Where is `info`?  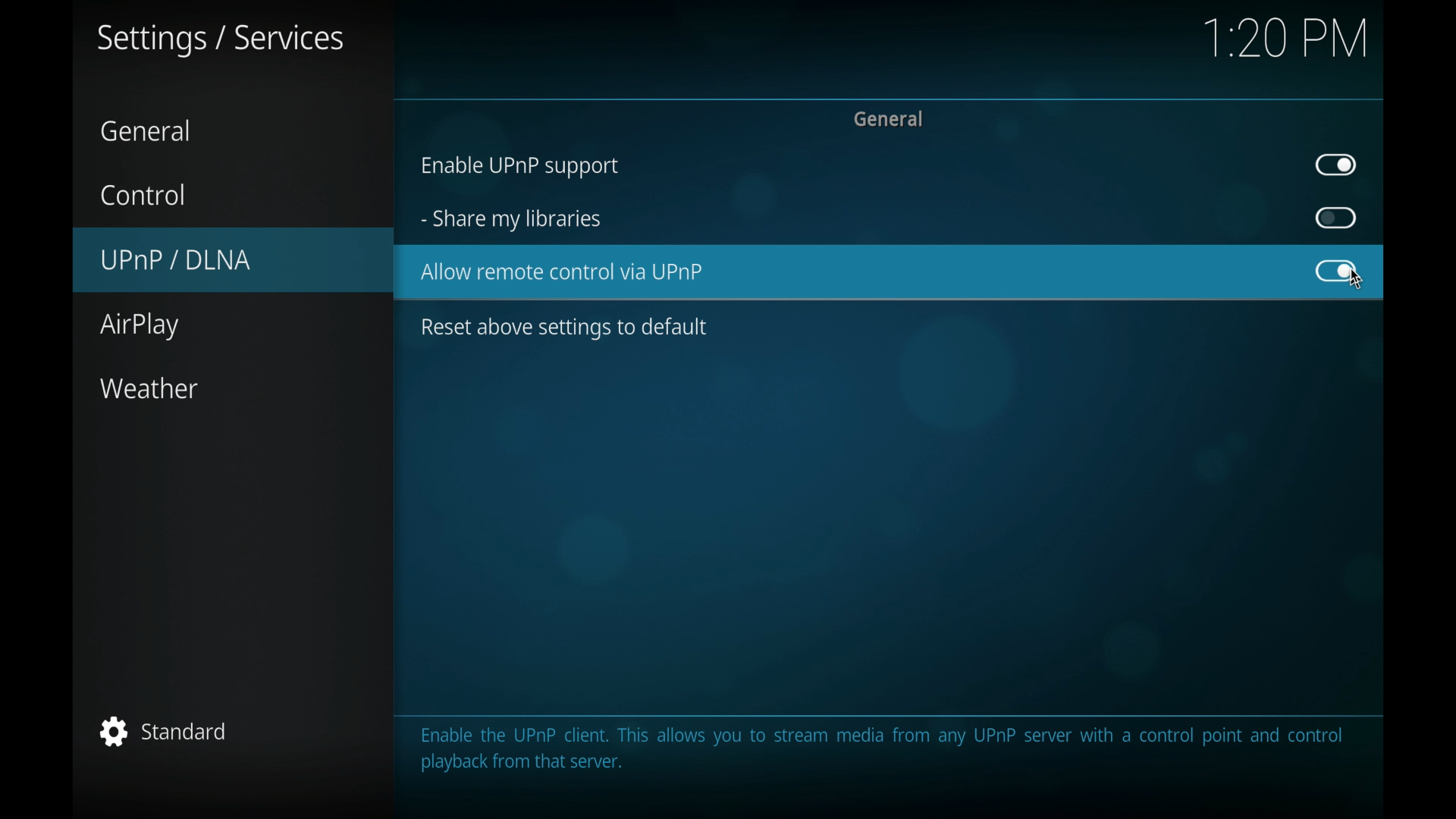
info is located at coordinates (881, 749).